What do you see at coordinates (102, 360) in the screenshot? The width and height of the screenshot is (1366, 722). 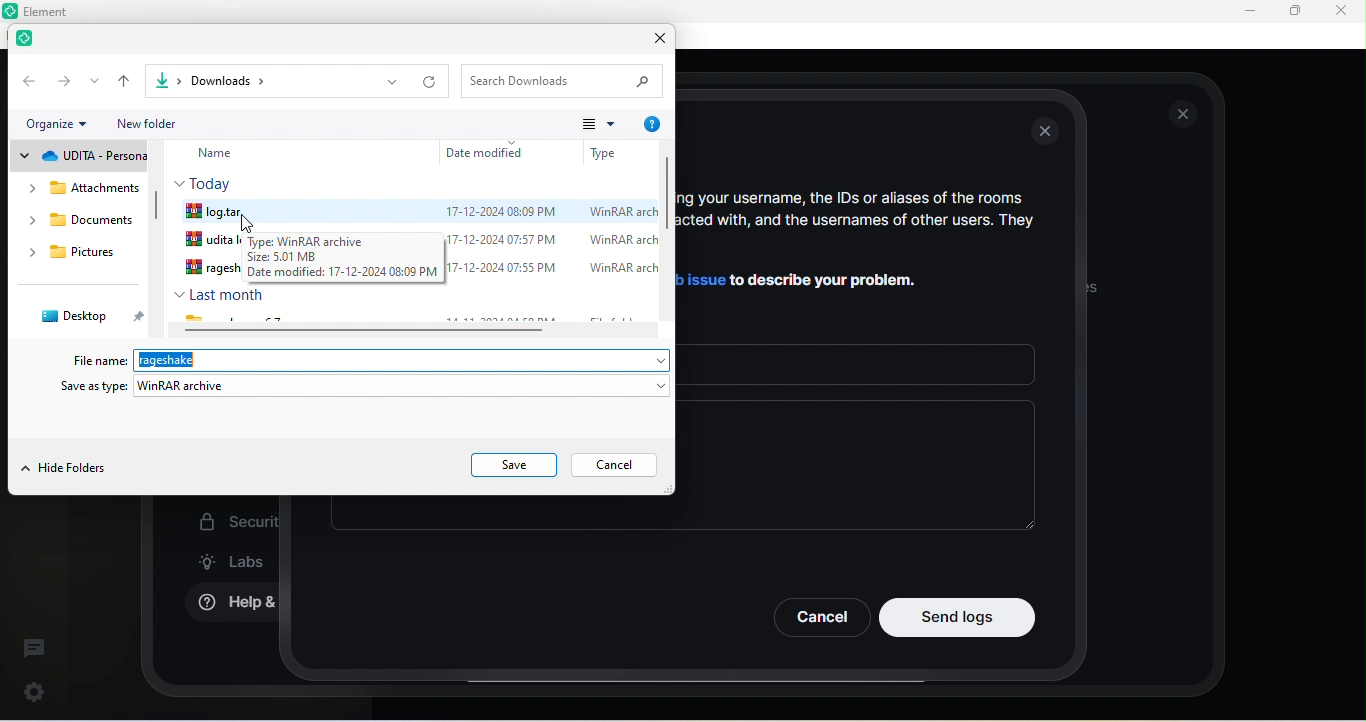 I see `file name` at bounding box center [102, 360].